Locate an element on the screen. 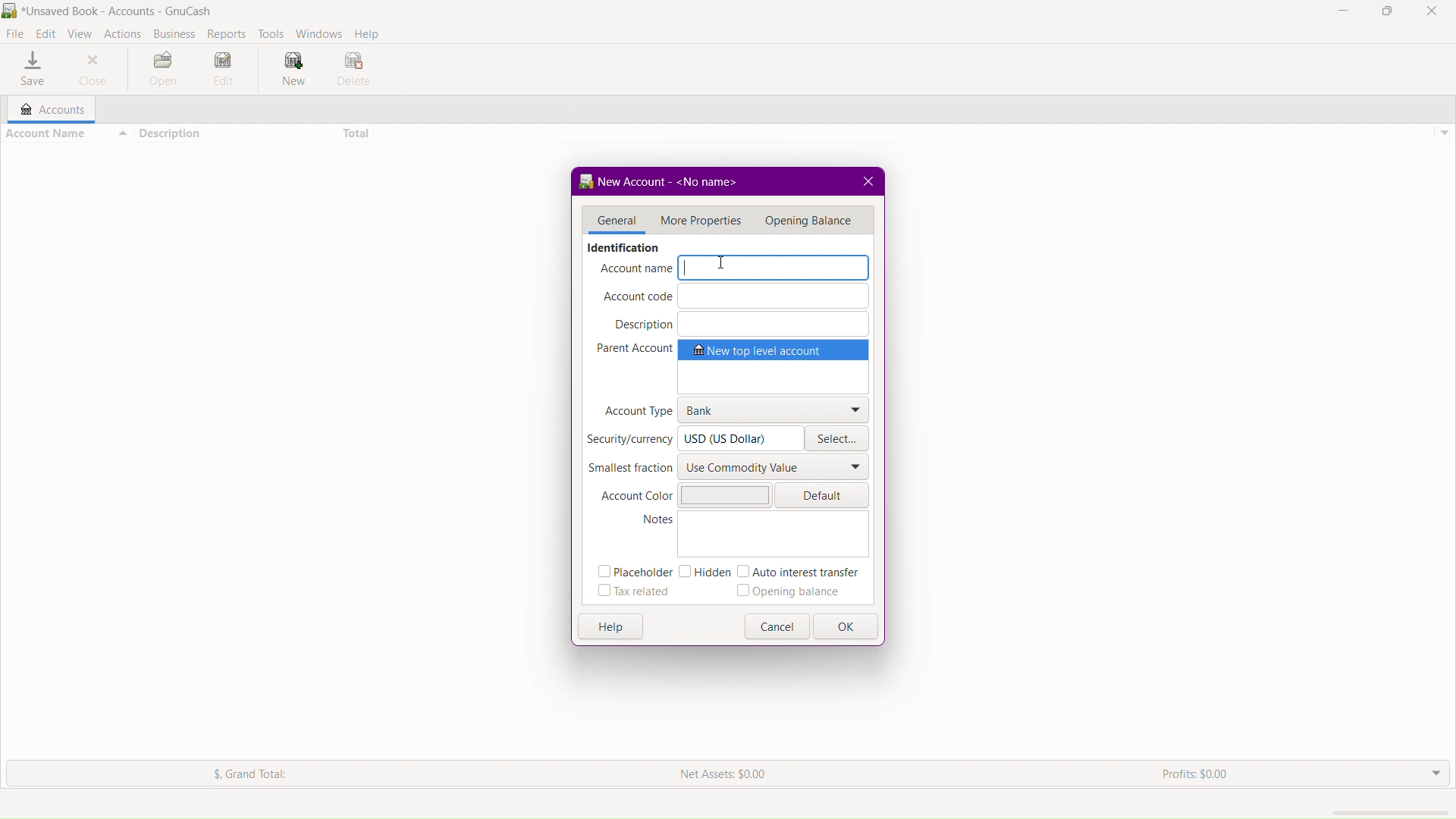 The height and width of the screenshot is (819, 1456). Tax related is located at coordinates (634, 593).